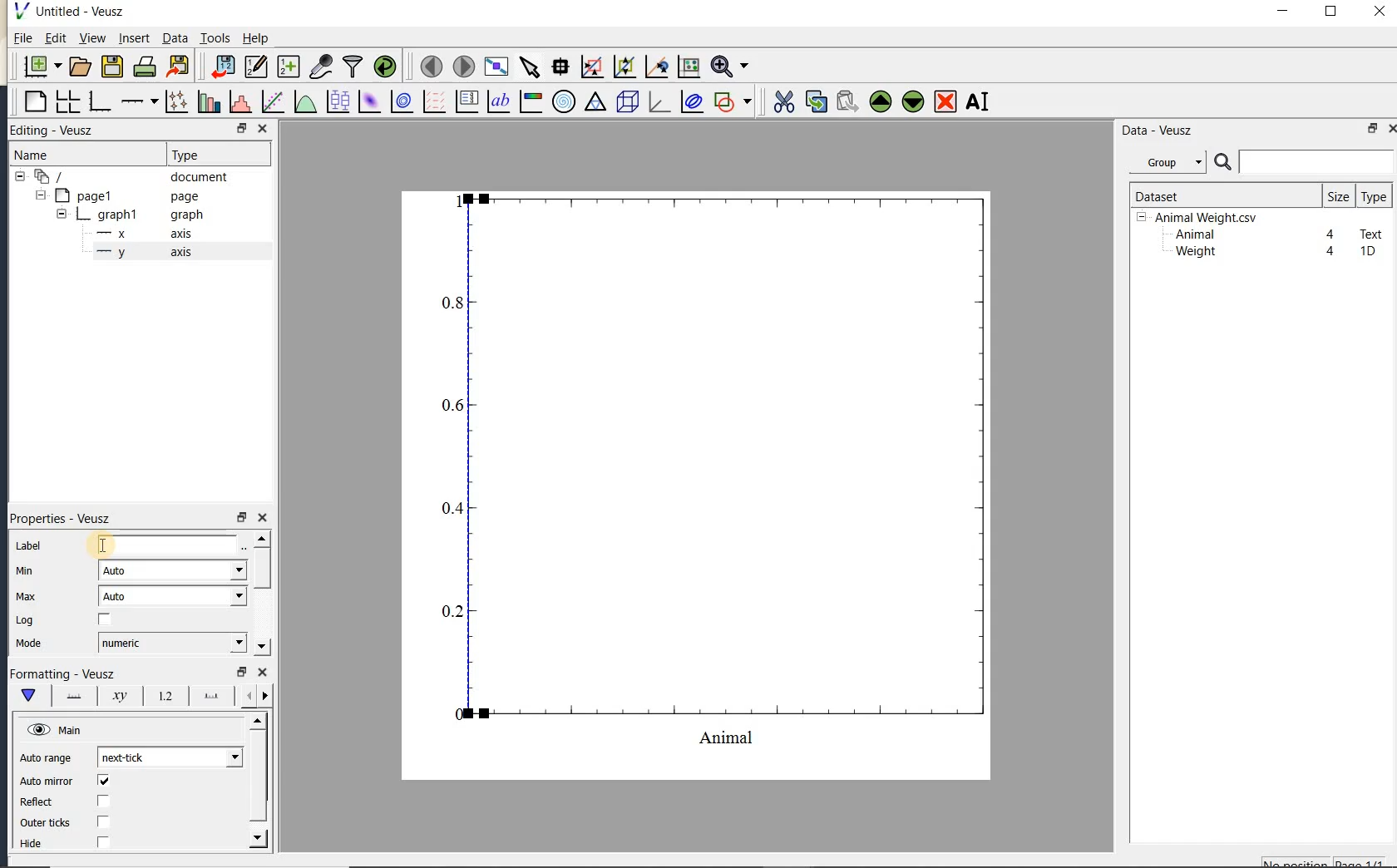  What do you see at coordinates (171, 643) in the screenshot?
I see `Numeric` at bounding box center [171, 643].